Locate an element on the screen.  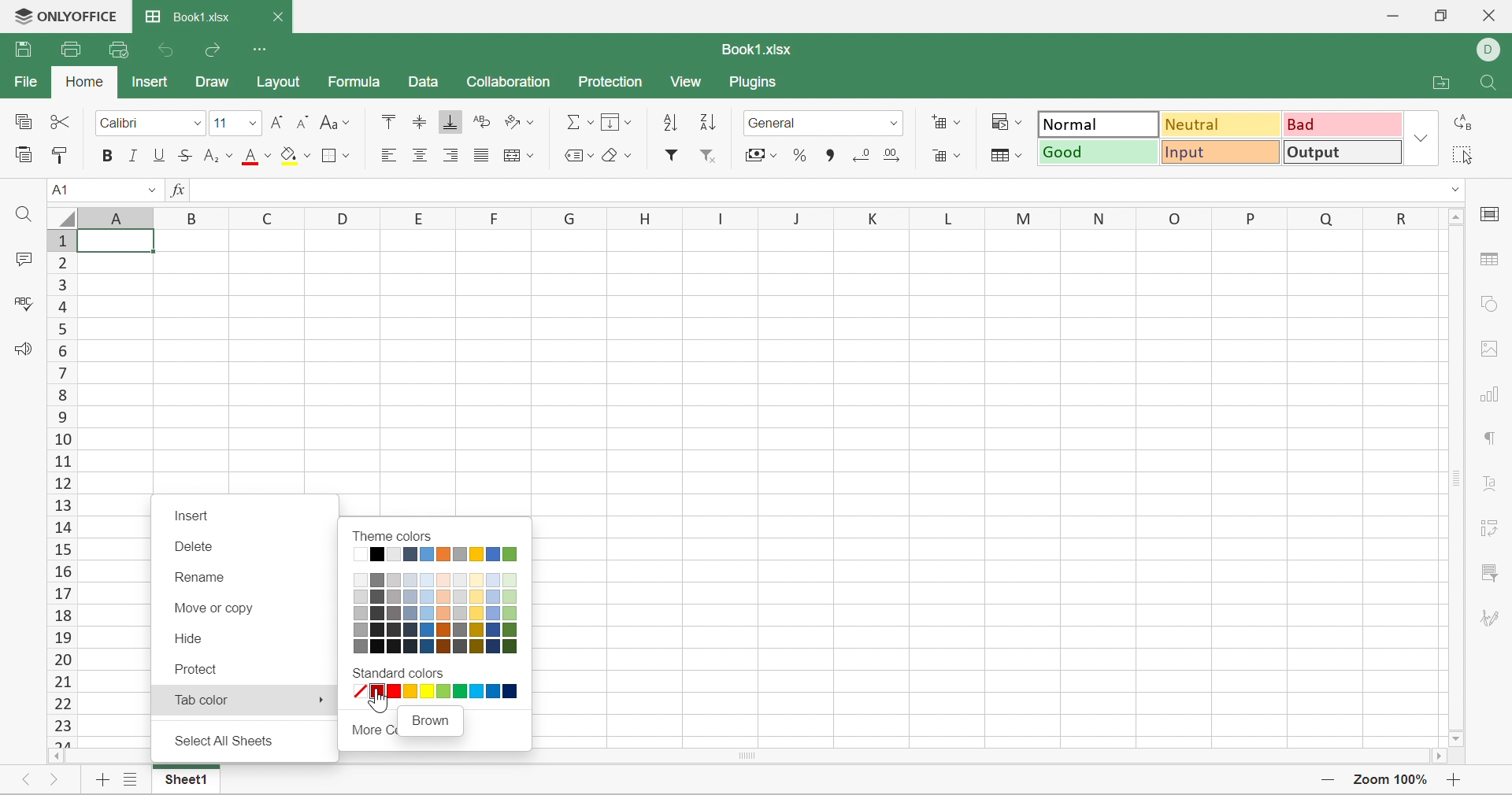
G is located at coordinates (571, 217).